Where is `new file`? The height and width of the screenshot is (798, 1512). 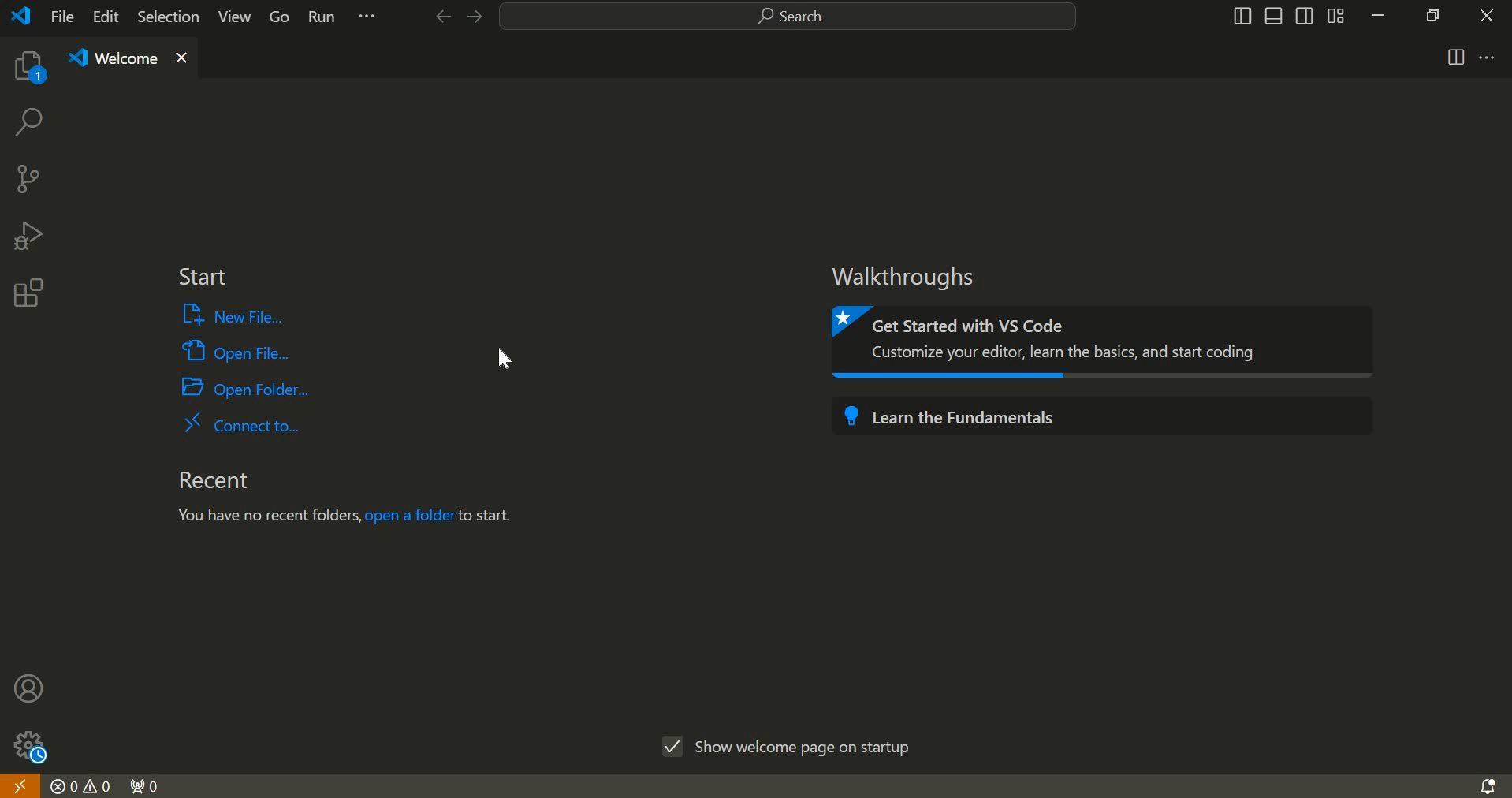
new file is located at coordinates (236, 315).